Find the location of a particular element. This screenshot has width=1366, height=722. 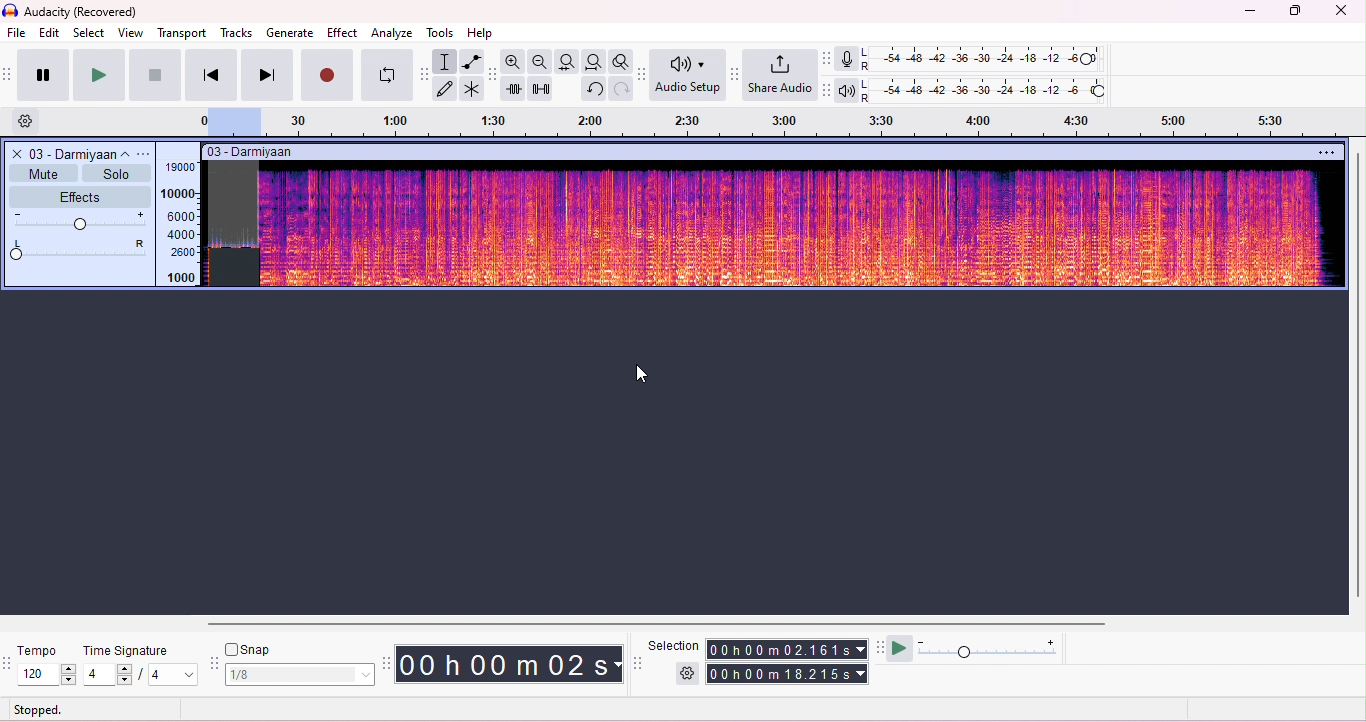

tempo is located at coordinates (43, 650).